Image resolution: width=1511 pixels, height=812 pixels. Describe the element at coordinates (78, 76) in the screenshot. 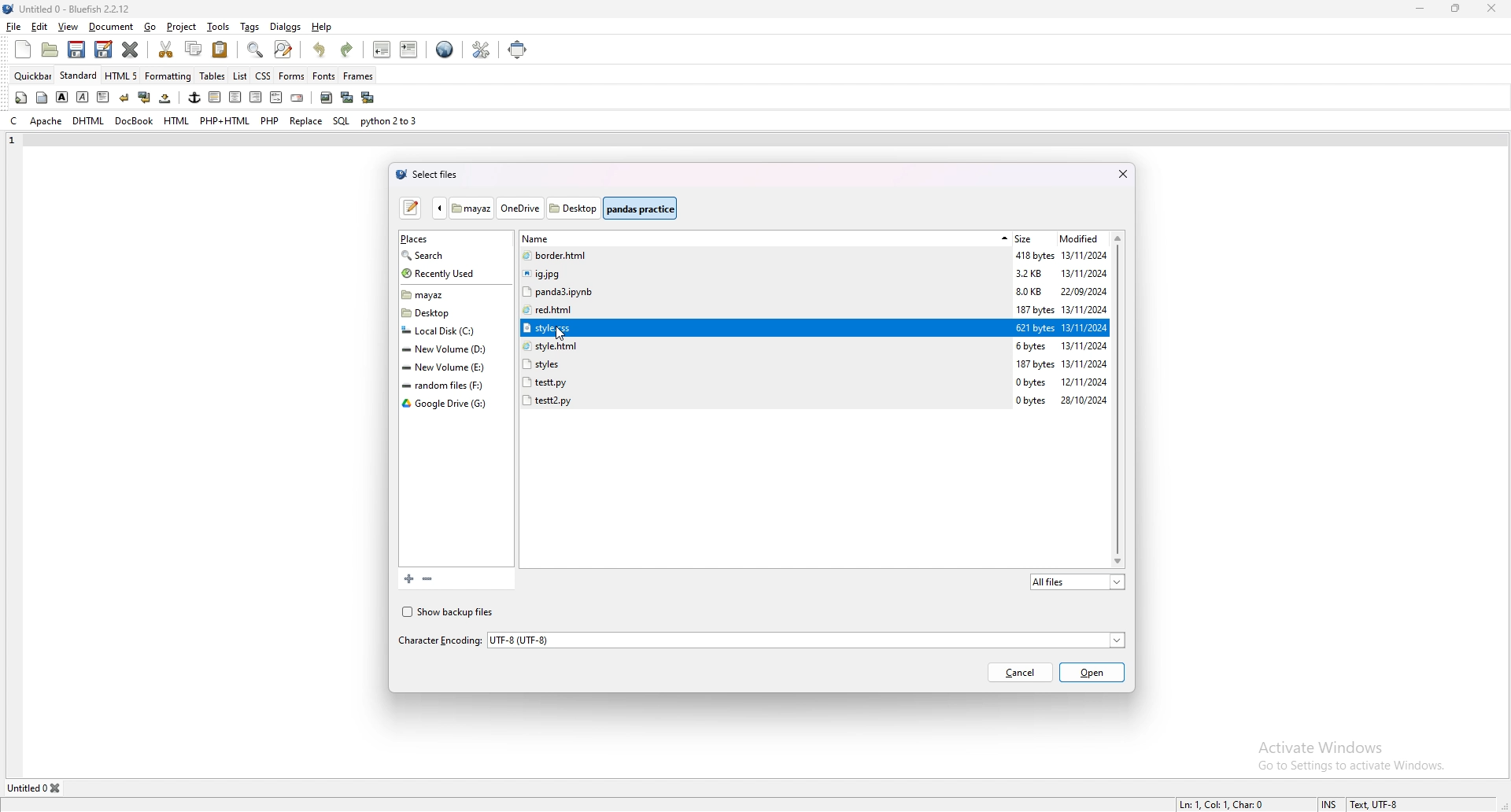

I see `standard` at that location.